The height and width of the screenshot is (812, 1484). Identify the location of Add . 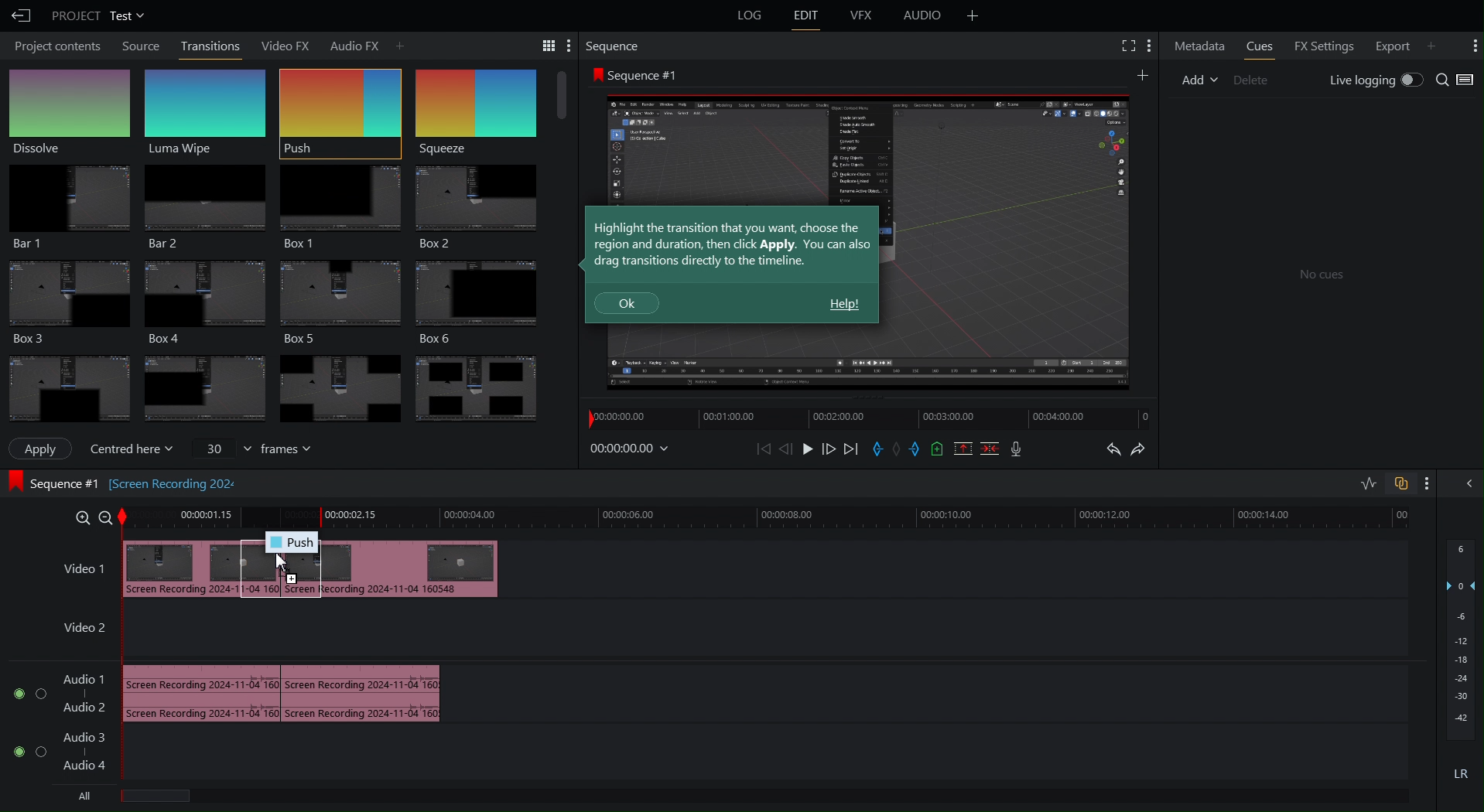
(1198, 80).